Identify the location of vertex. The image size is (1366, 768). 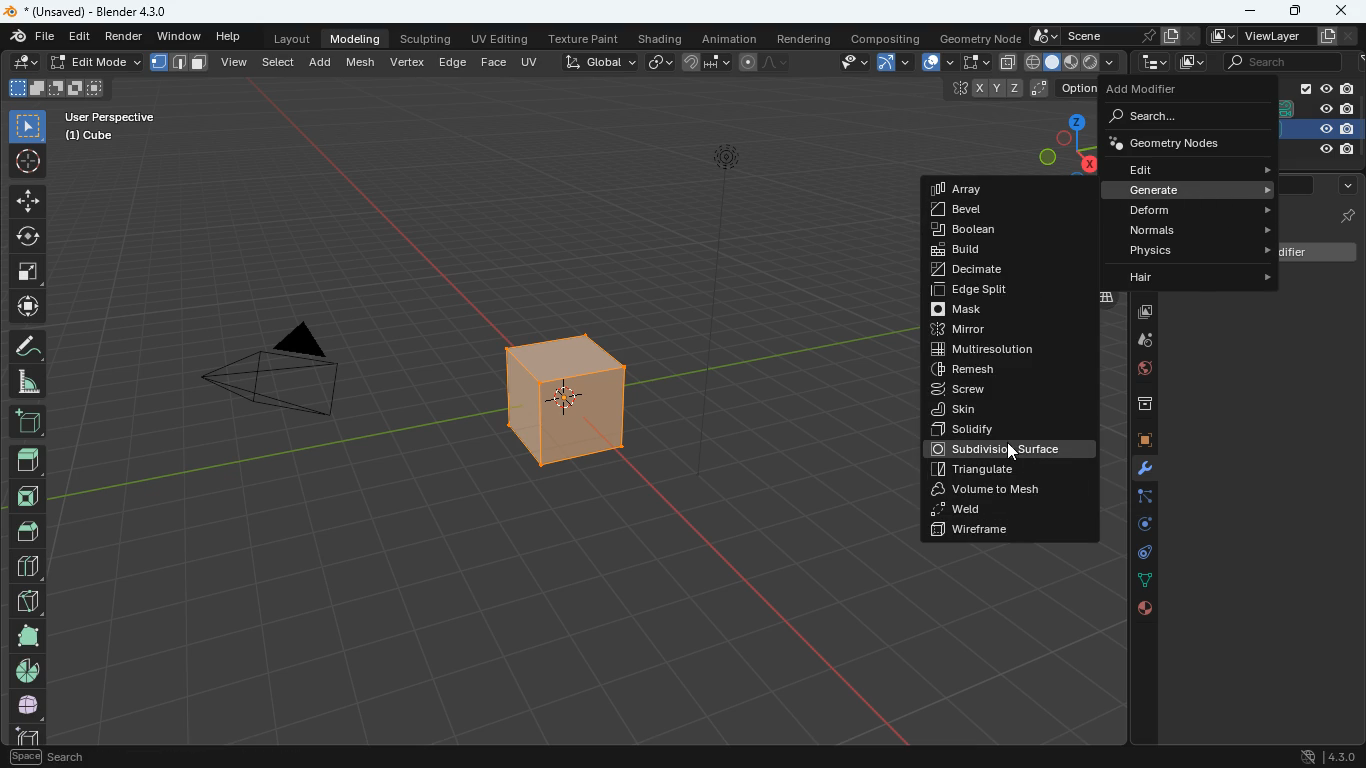
(409, 62).